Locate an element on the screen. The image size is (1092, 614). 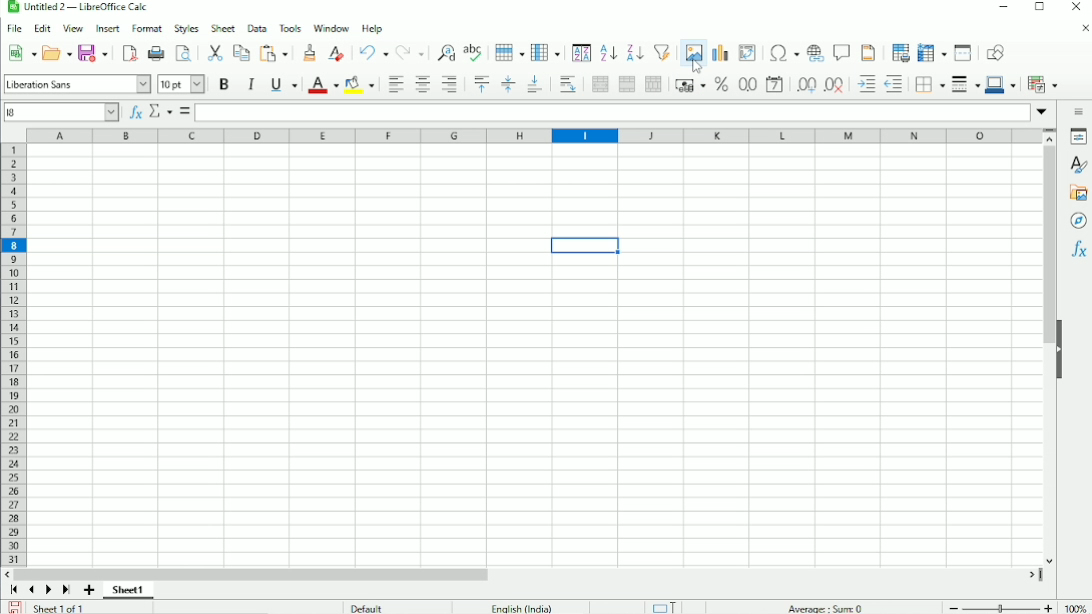
Format as currency is located at coordinates (688, 86).